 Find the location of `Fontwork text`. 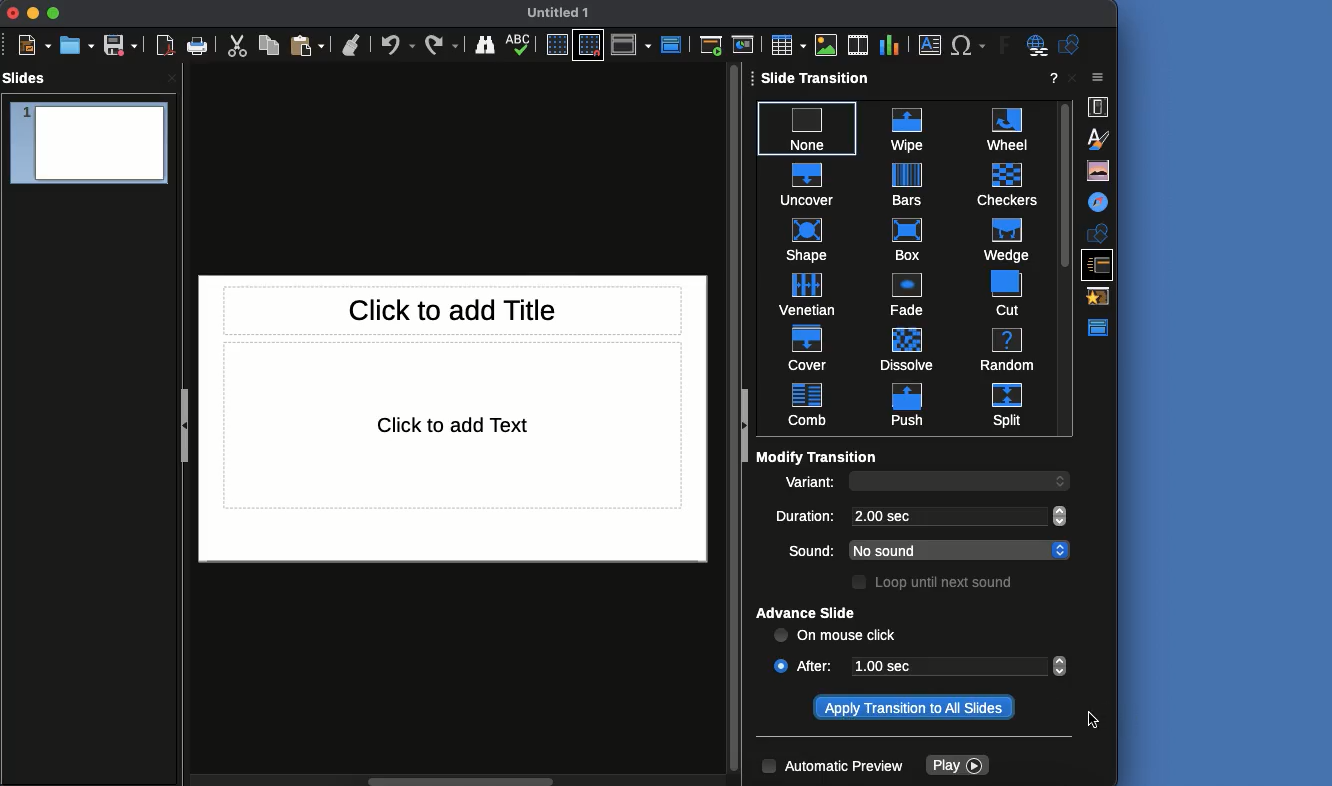

Fontwork text is located at coordinates (1000, 47).